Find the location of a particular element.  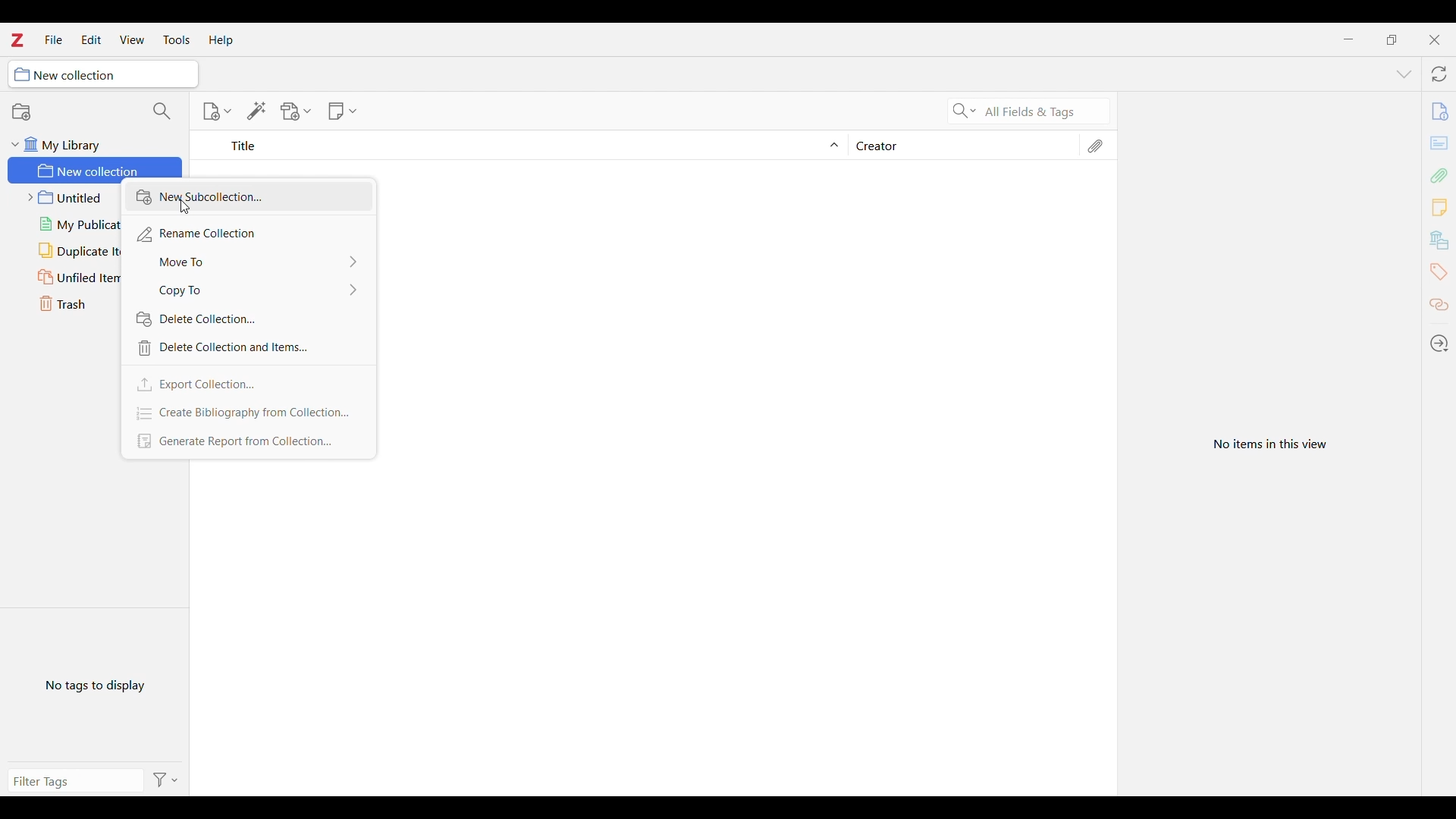

Delete collection is located at coordinates (248, 319).